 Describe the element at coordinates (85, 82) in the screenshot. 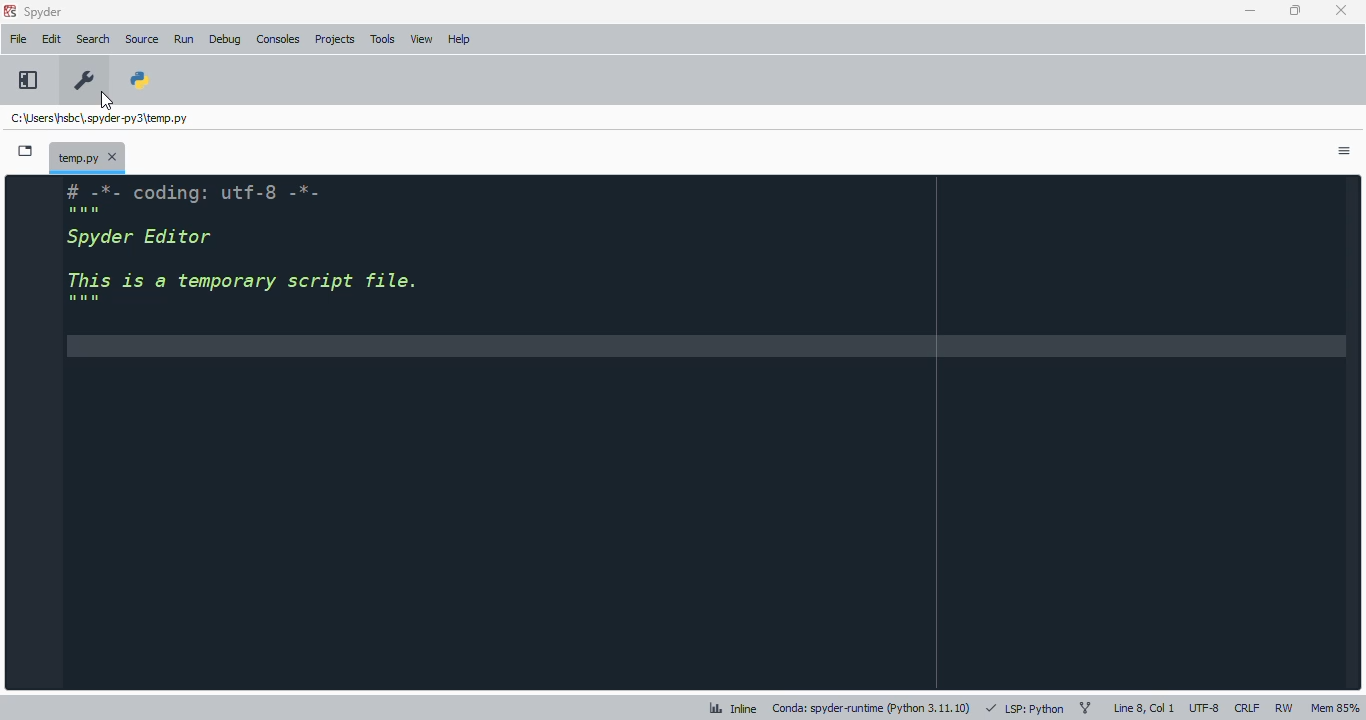

I see `preferences` at that location.